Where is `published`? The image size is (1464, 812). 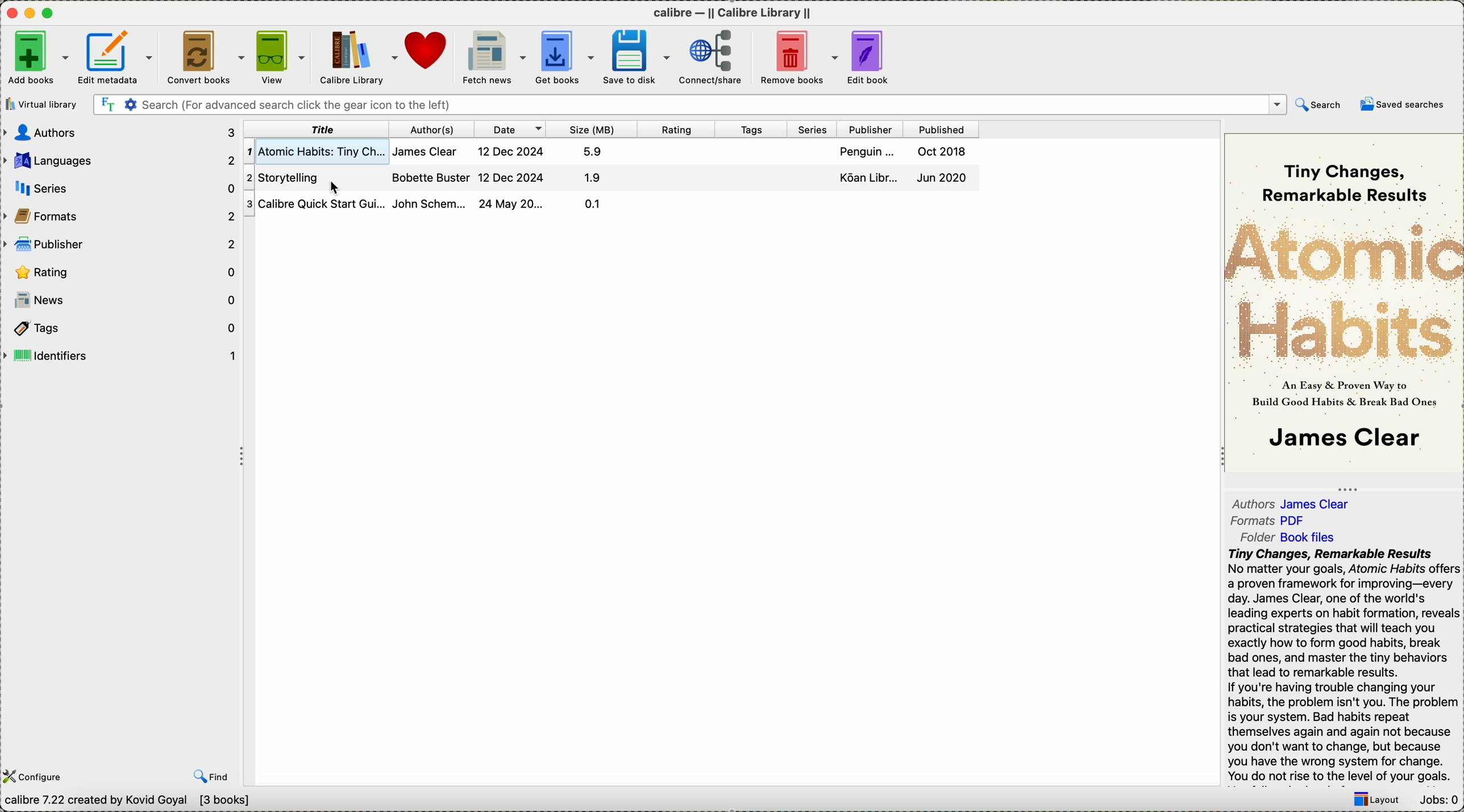 published is located at coordinates (939, 131).